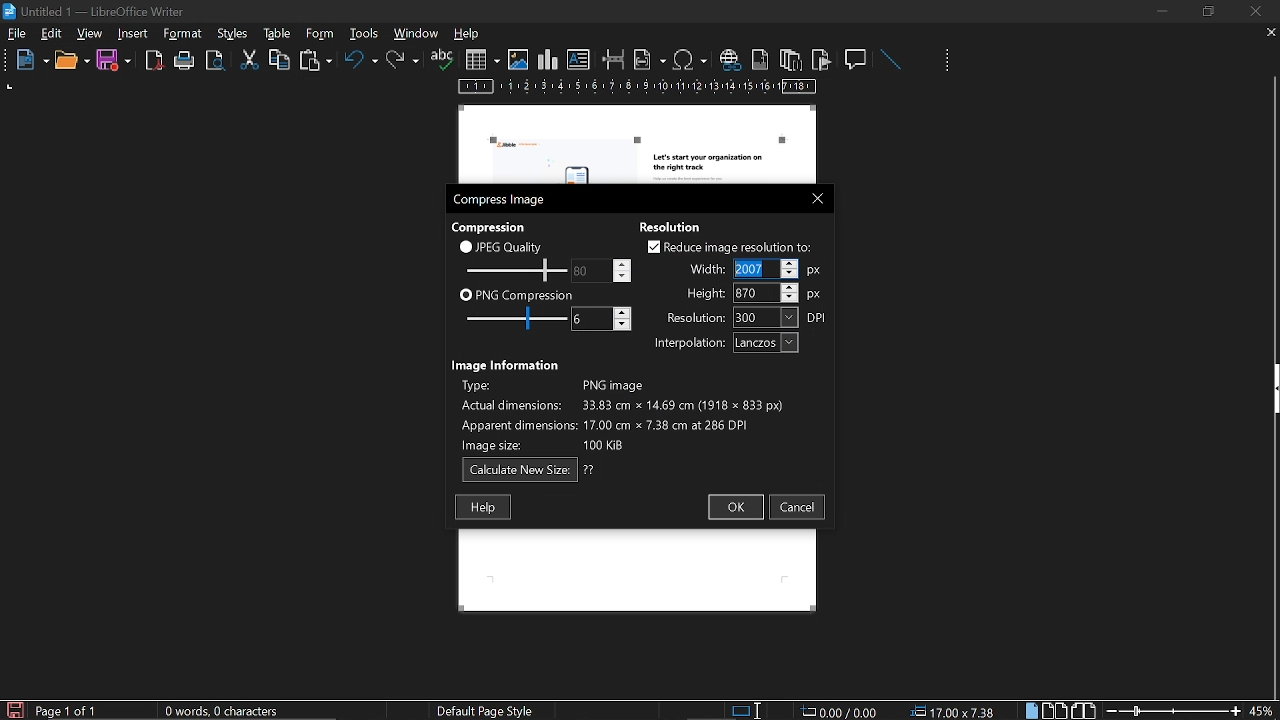 Image resolution: width=1280 pixels, height=720 pixels. What do you see at coordinates (748, 710) in the screenshot?
I see `standard selection` at bounding box center [748, 710].